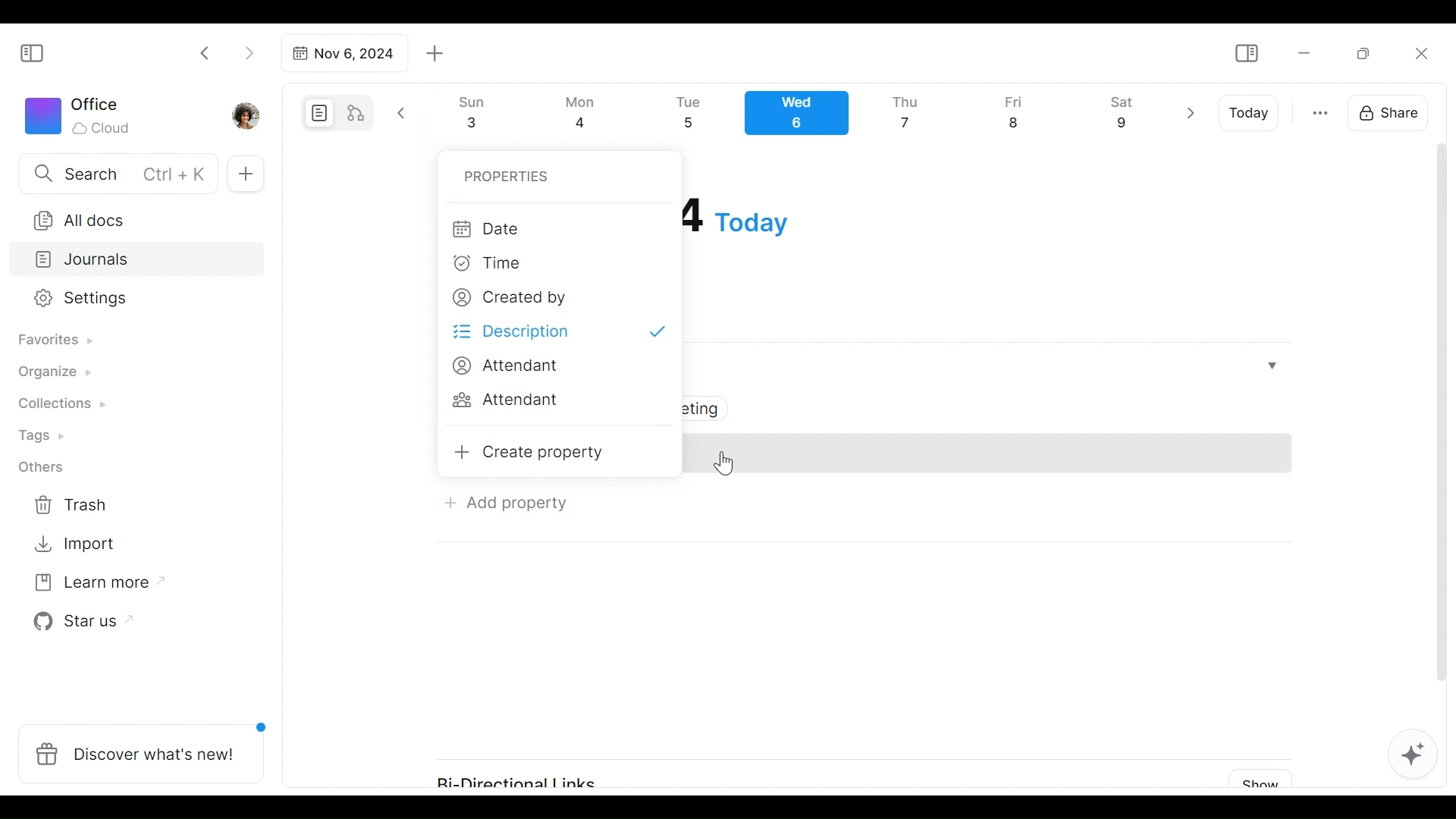 This screenshot has height=819, width=1456. Describe the element at coordinates (60, 406) in the screenshot. I see `Collections` at that location.